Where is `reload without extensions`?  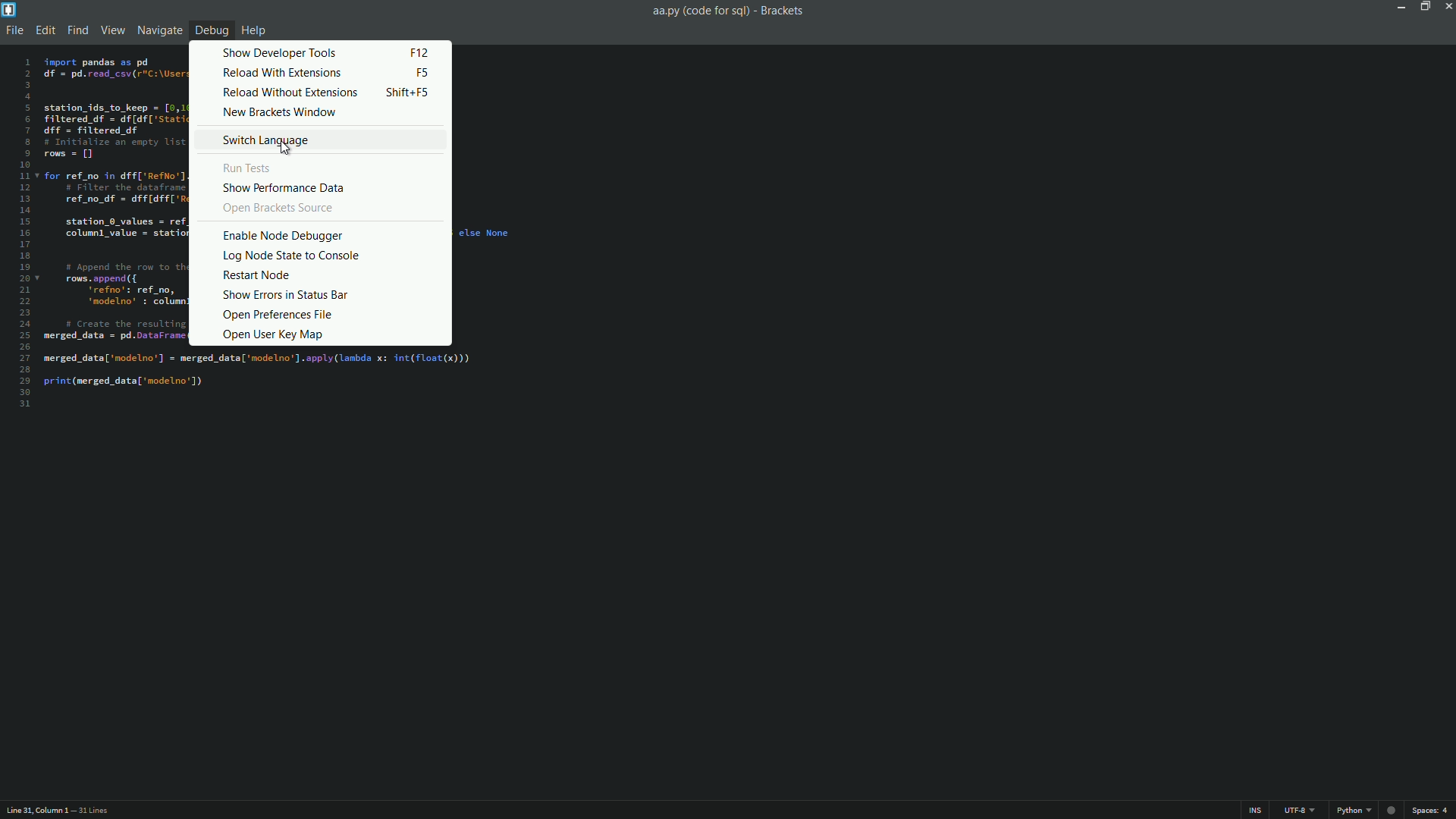 reload without extensions is located at coordinates (290, 94).